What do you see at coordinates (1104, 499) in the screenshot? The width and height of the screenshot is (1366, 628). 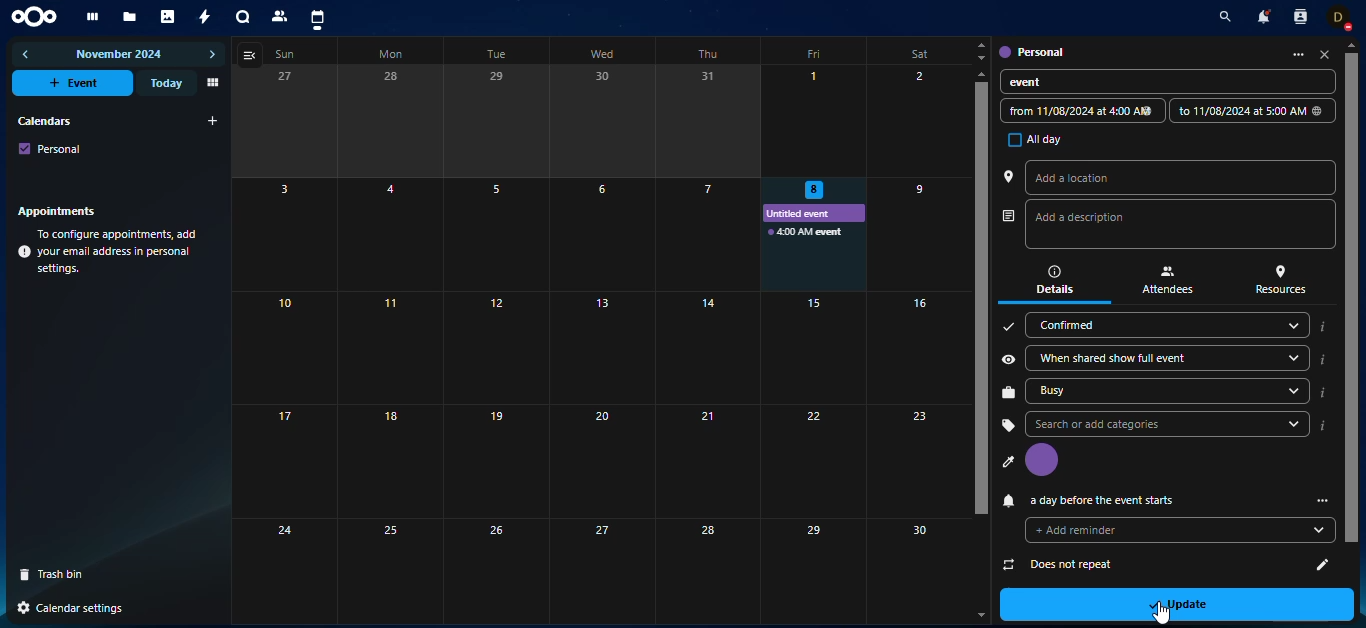 I see `reminder added` at bounding box center [1104, 499].